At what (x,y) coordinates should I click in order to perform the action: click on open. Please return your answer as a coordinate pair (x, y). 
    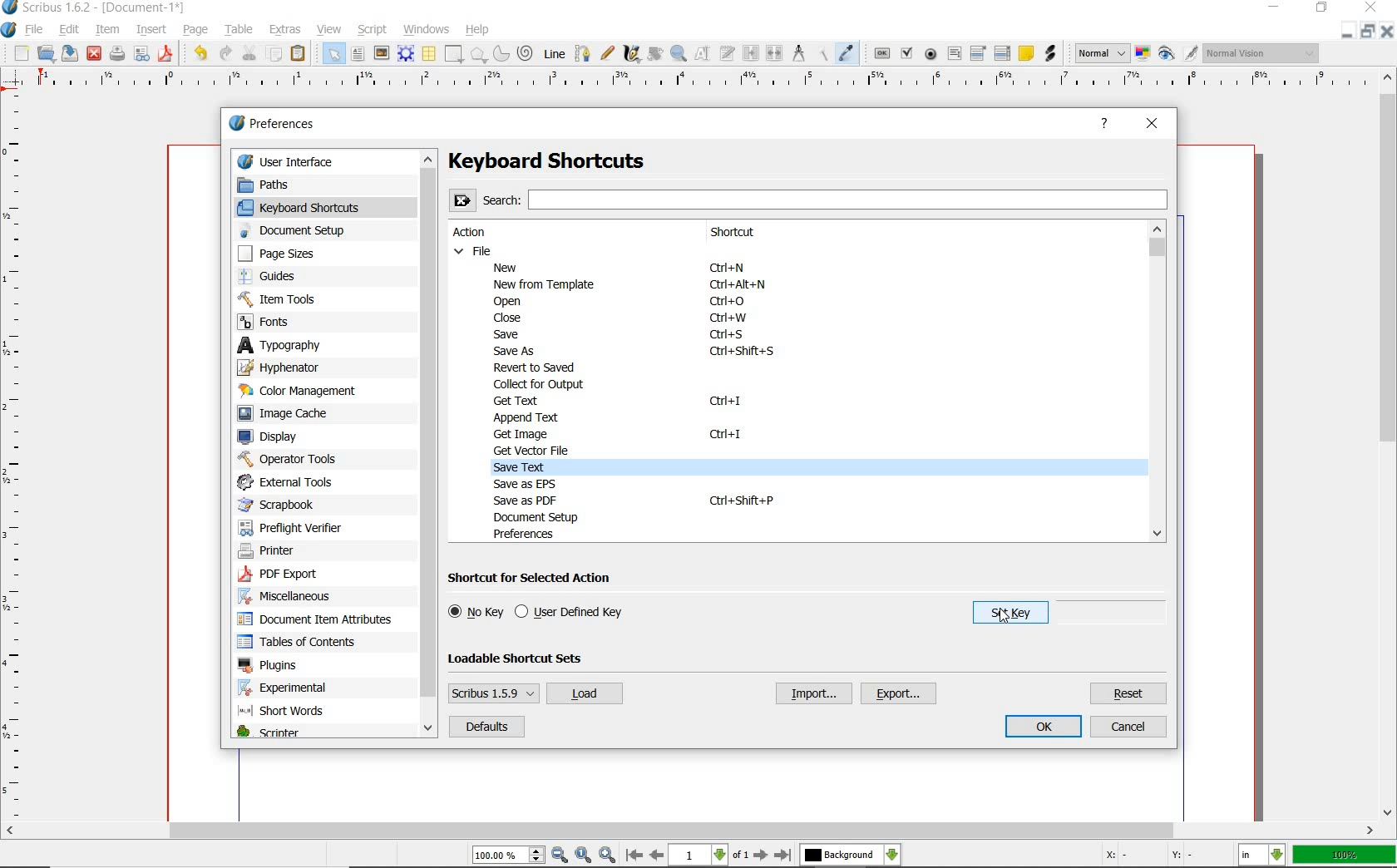
    Looking at the image, I should click on (46, 52).